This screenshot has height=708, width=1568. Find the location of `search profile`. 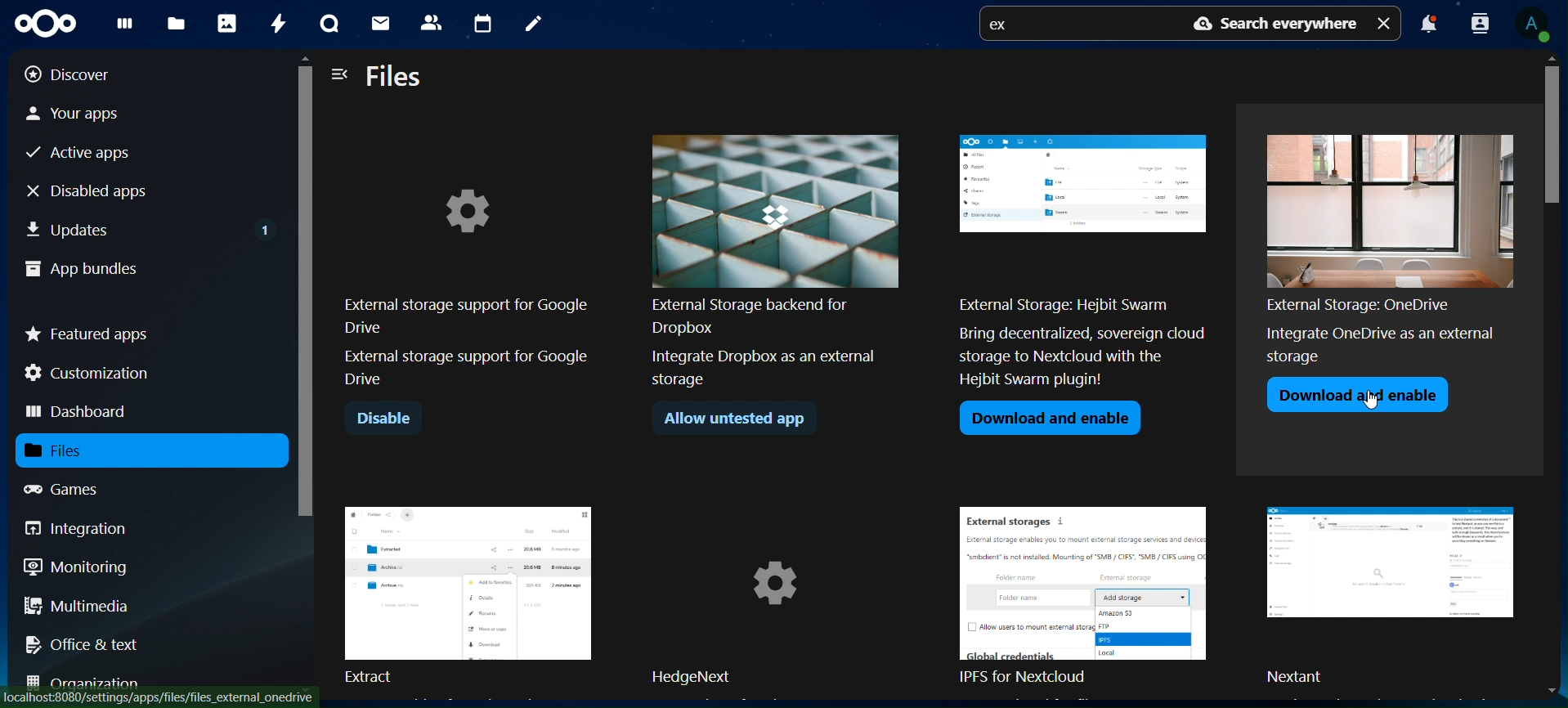

search profile is located at coordinates (1481, 22).